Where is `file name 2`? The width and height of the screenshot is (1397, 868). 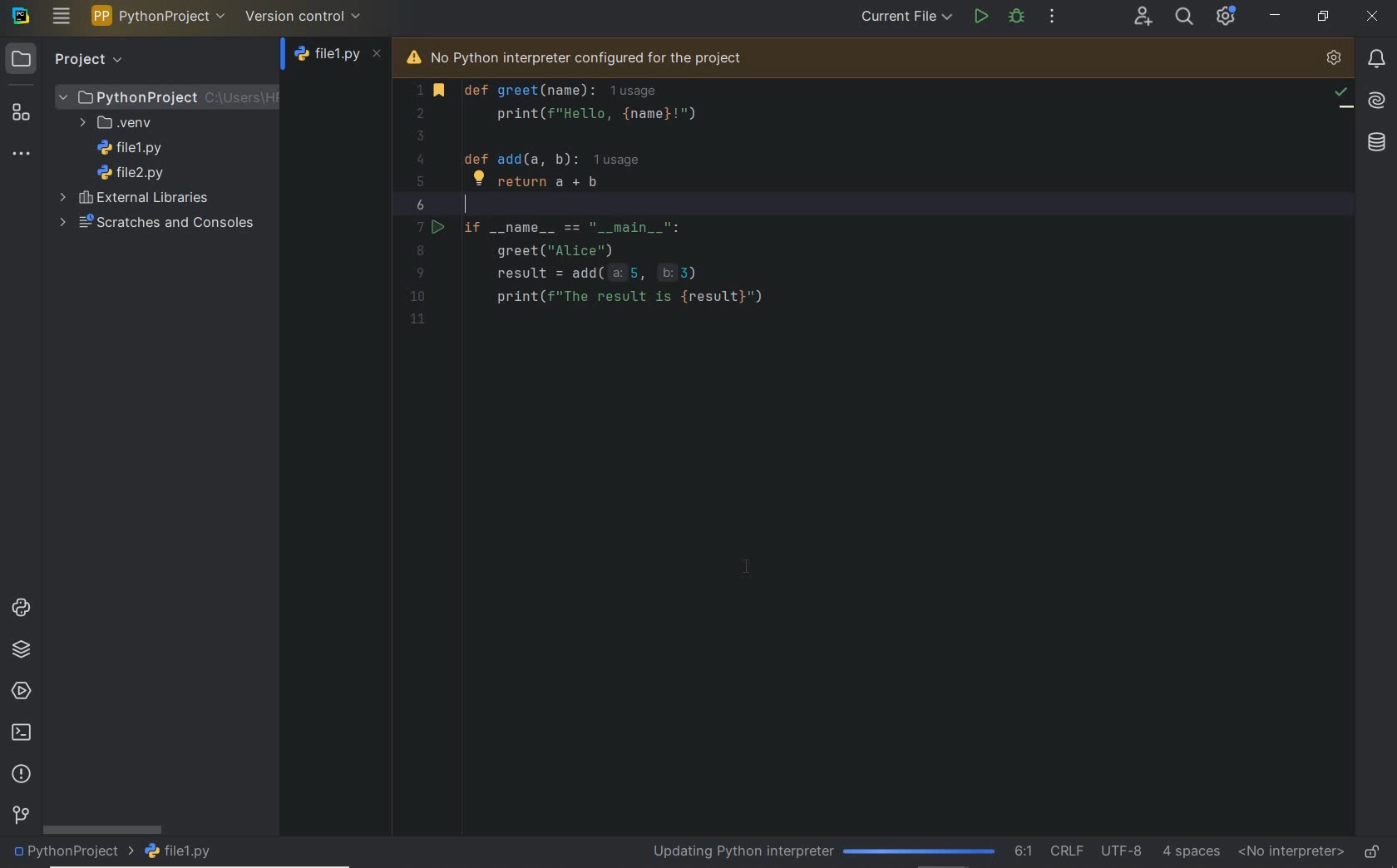 file name 2 is located at coordinates (131, 148).